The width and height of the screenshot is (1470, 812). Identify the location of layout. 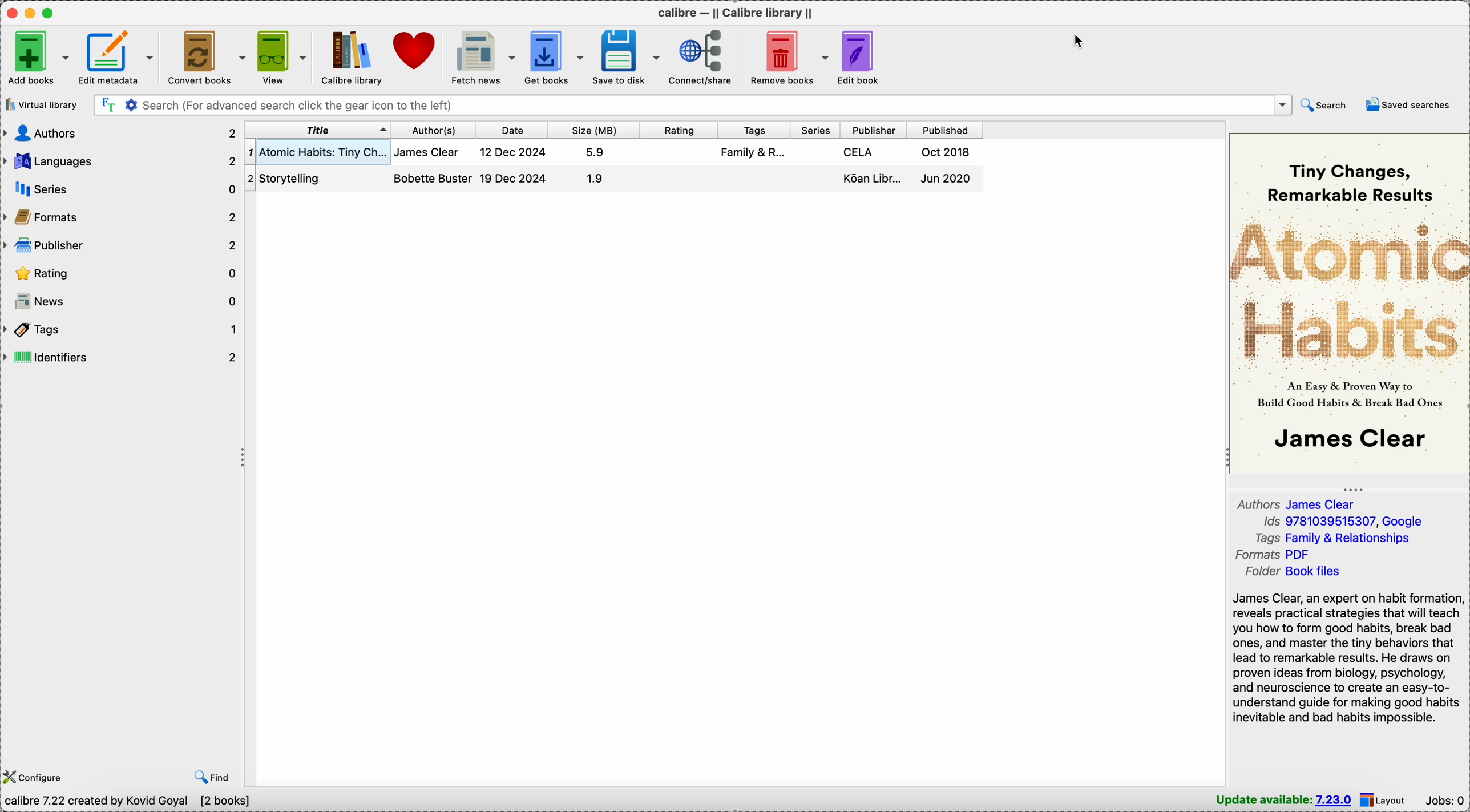
(1386, 799).